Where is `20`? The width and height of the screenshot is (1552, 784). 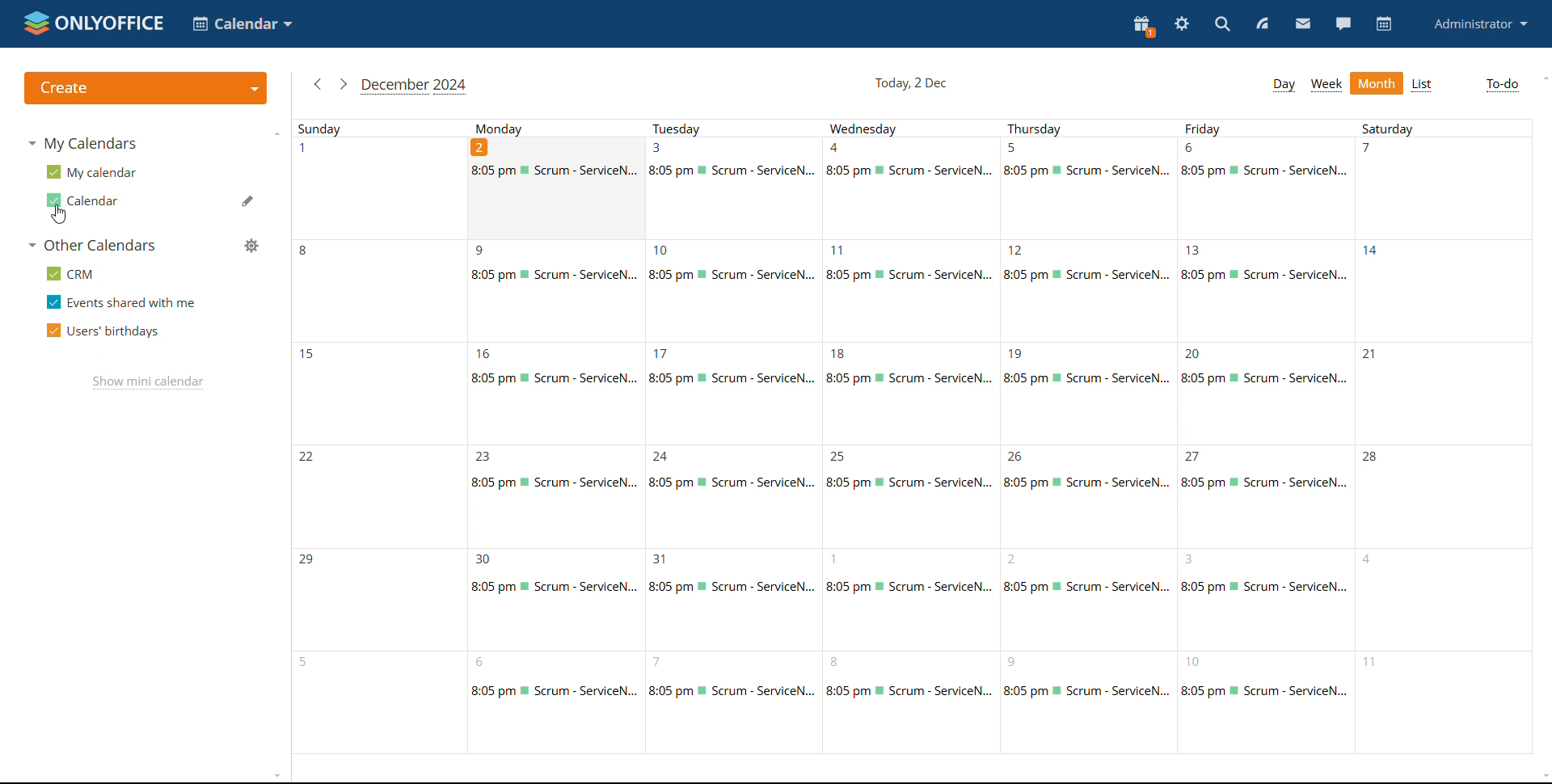
20 is located at coordinates (1266, 393).